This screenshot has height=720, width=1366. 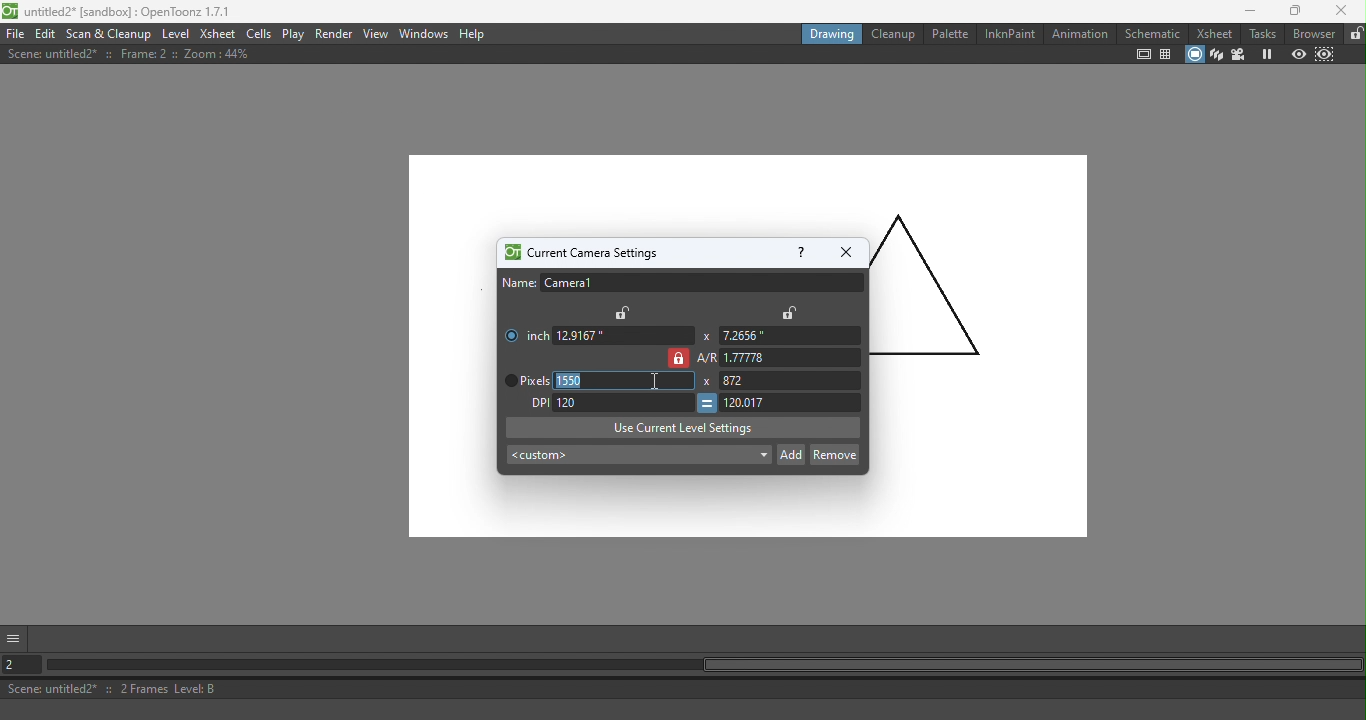 I want to click on Inch, so click(x=523, y=331).